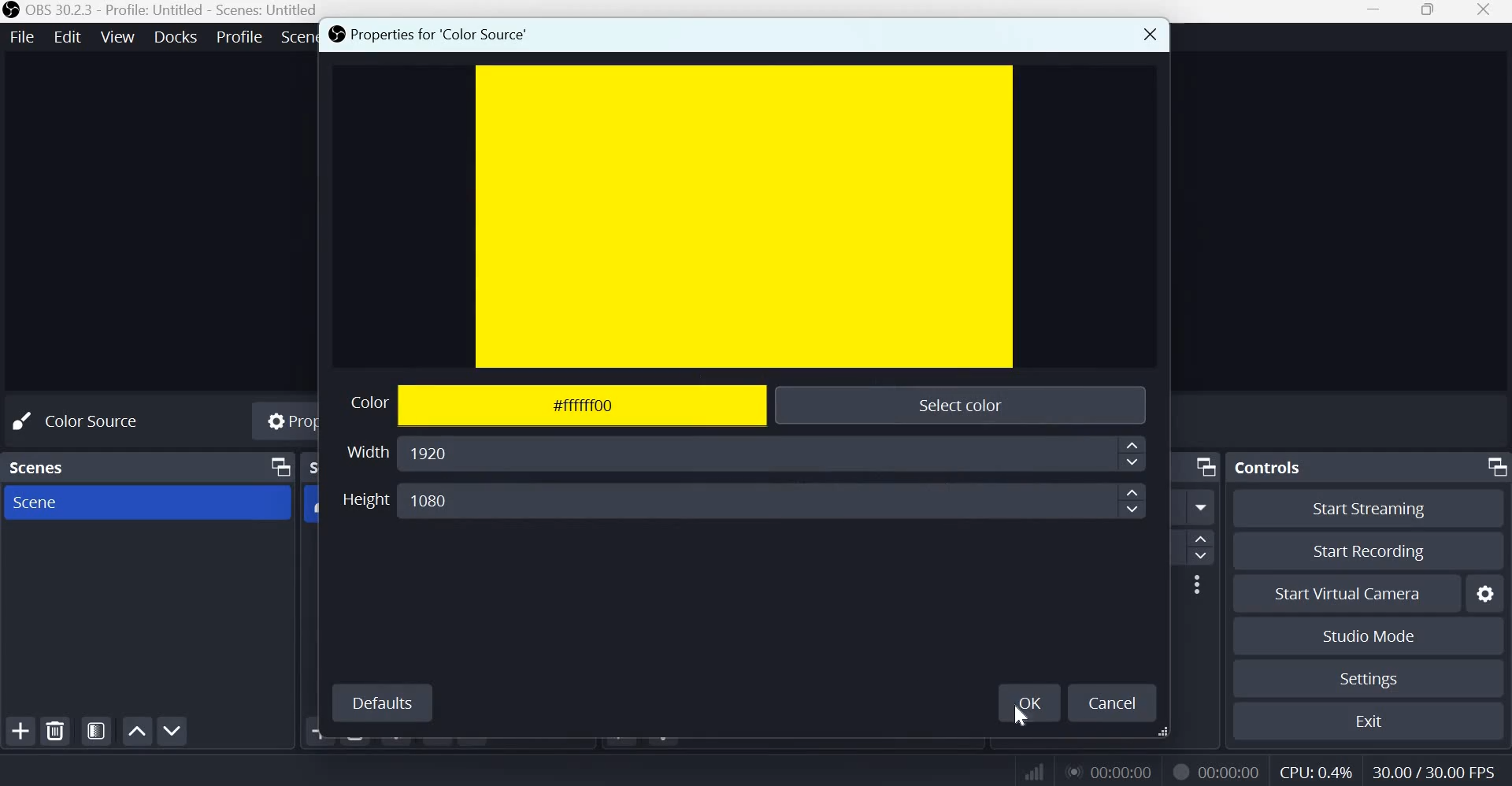 The width and height of the screenshot is (1512, 786). I want to click on Scene, so click(35, 502).